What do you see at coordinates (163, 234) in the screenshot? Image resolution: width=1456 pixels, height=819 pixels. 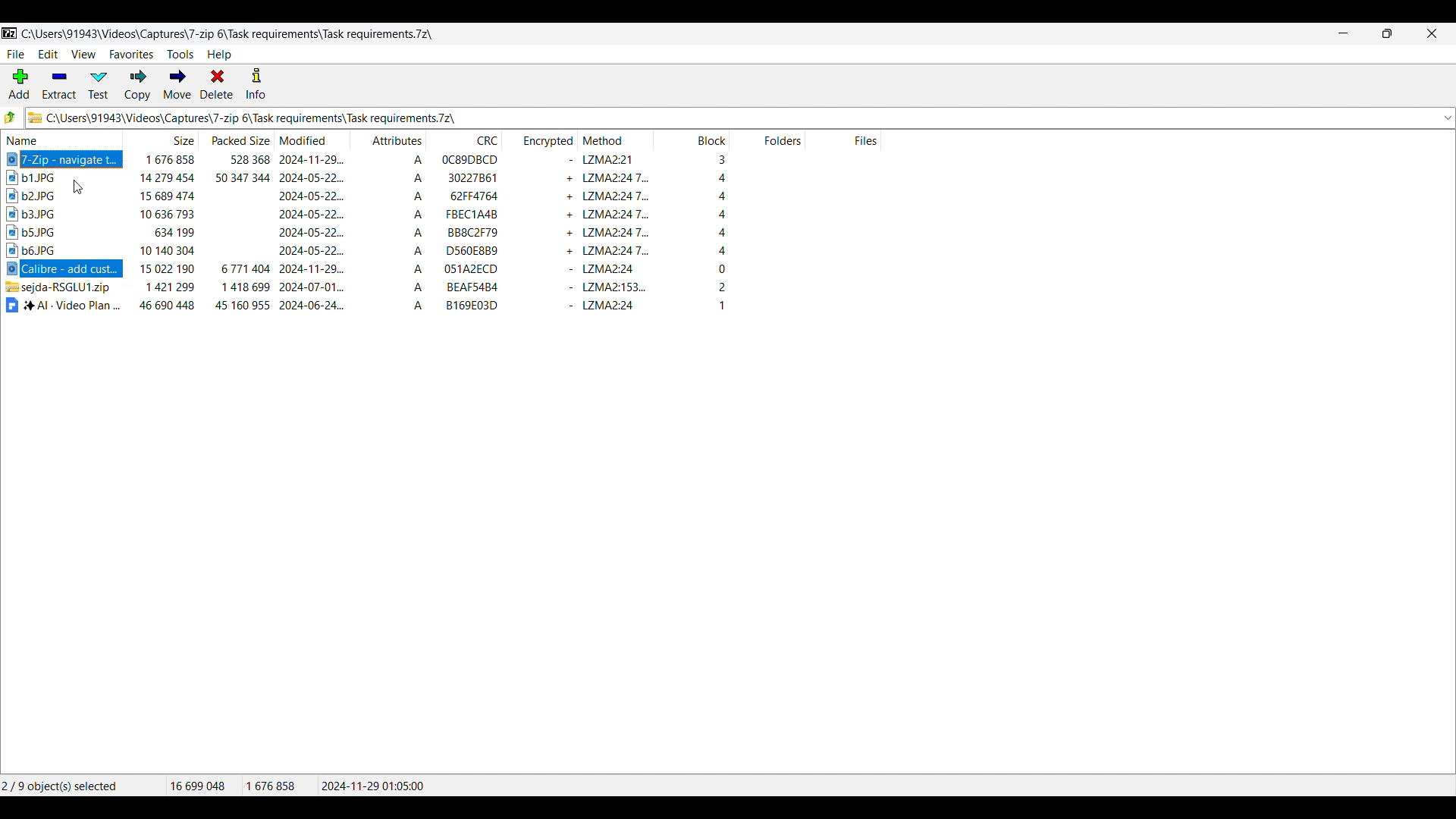 I see `size` at bounding box center [163, 234].